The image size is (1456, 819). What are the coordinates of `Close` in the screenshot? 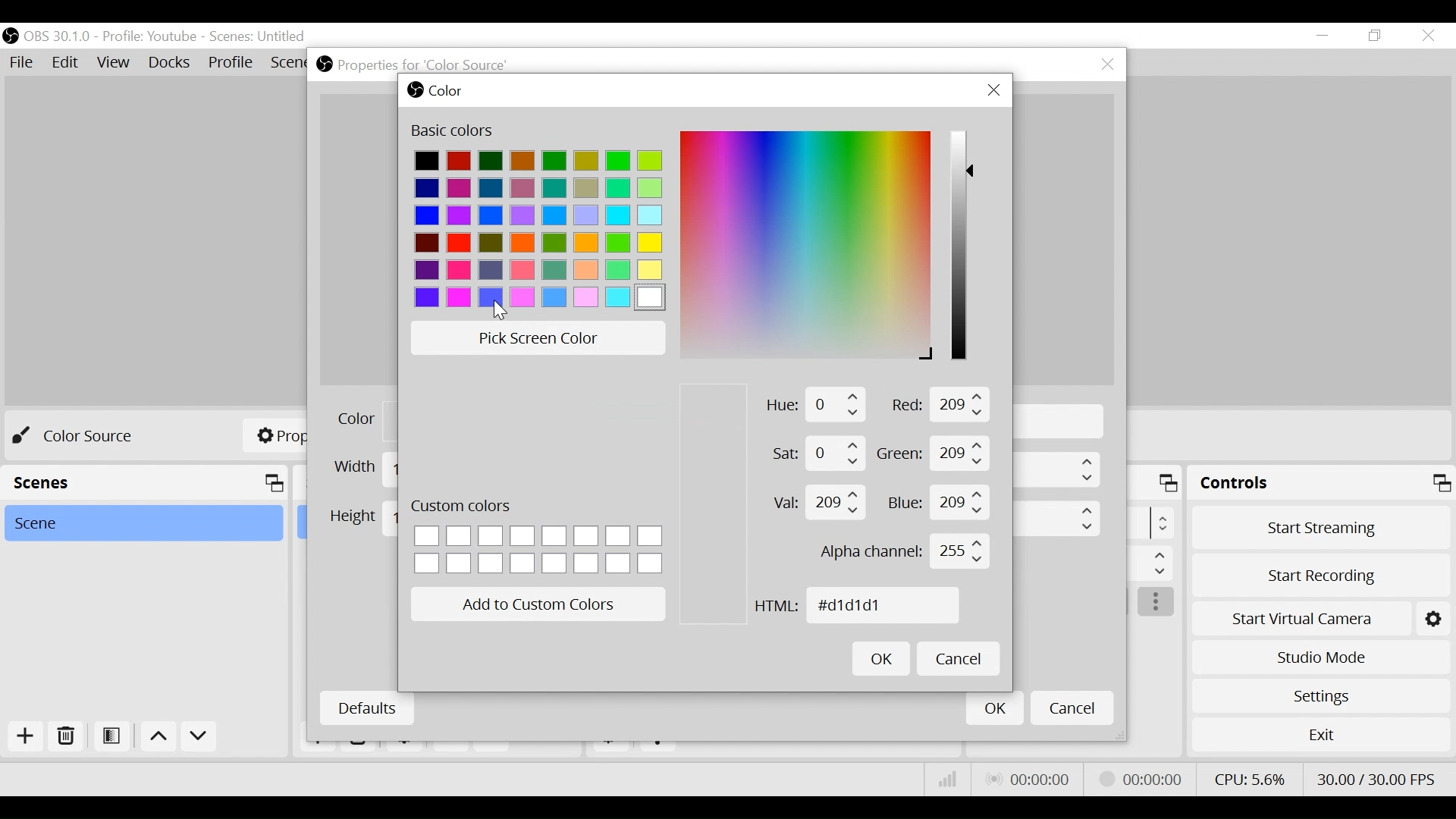 It's located at (1108, 66).